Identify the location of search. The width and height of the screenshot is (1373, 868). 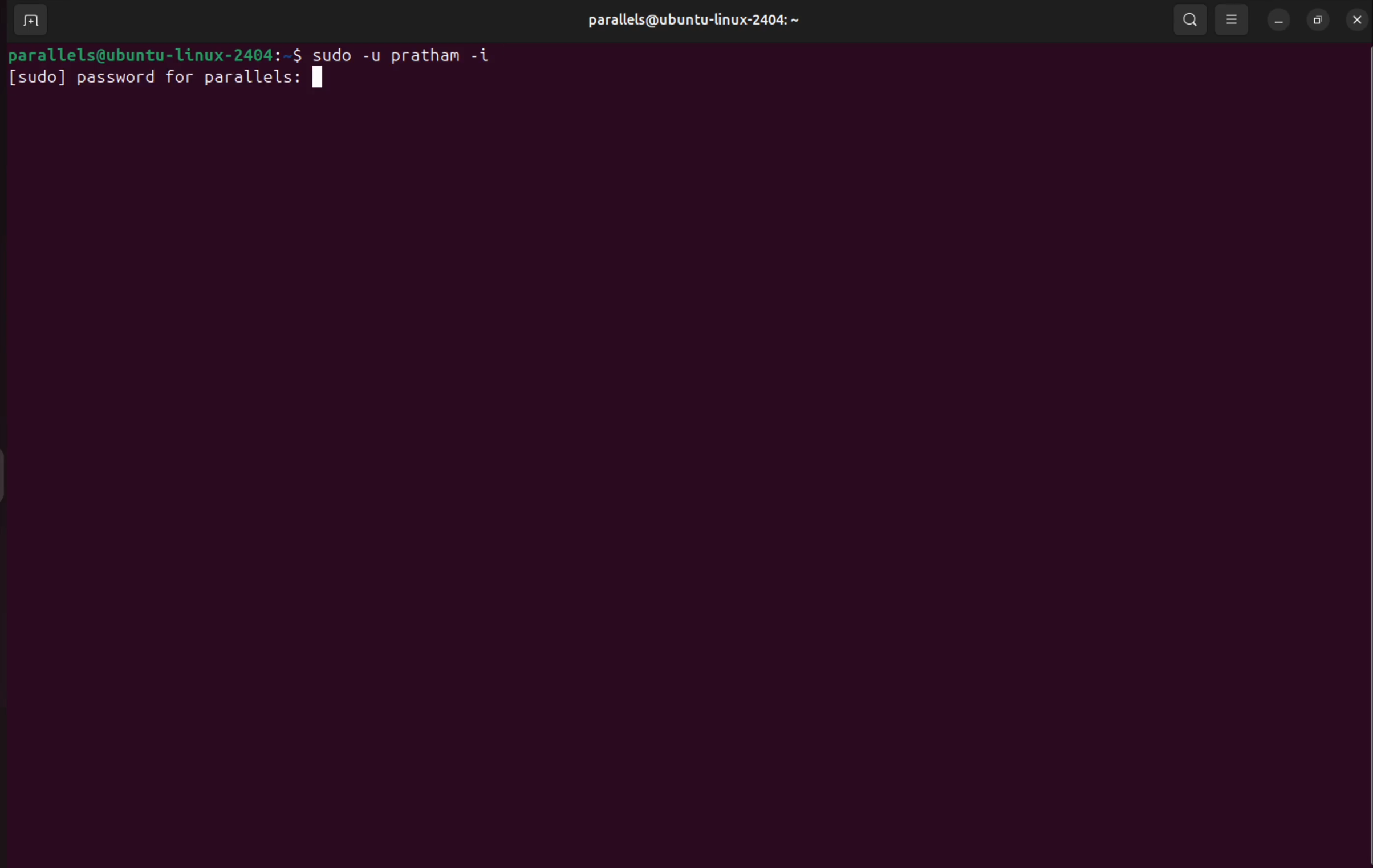
(1189, 21).